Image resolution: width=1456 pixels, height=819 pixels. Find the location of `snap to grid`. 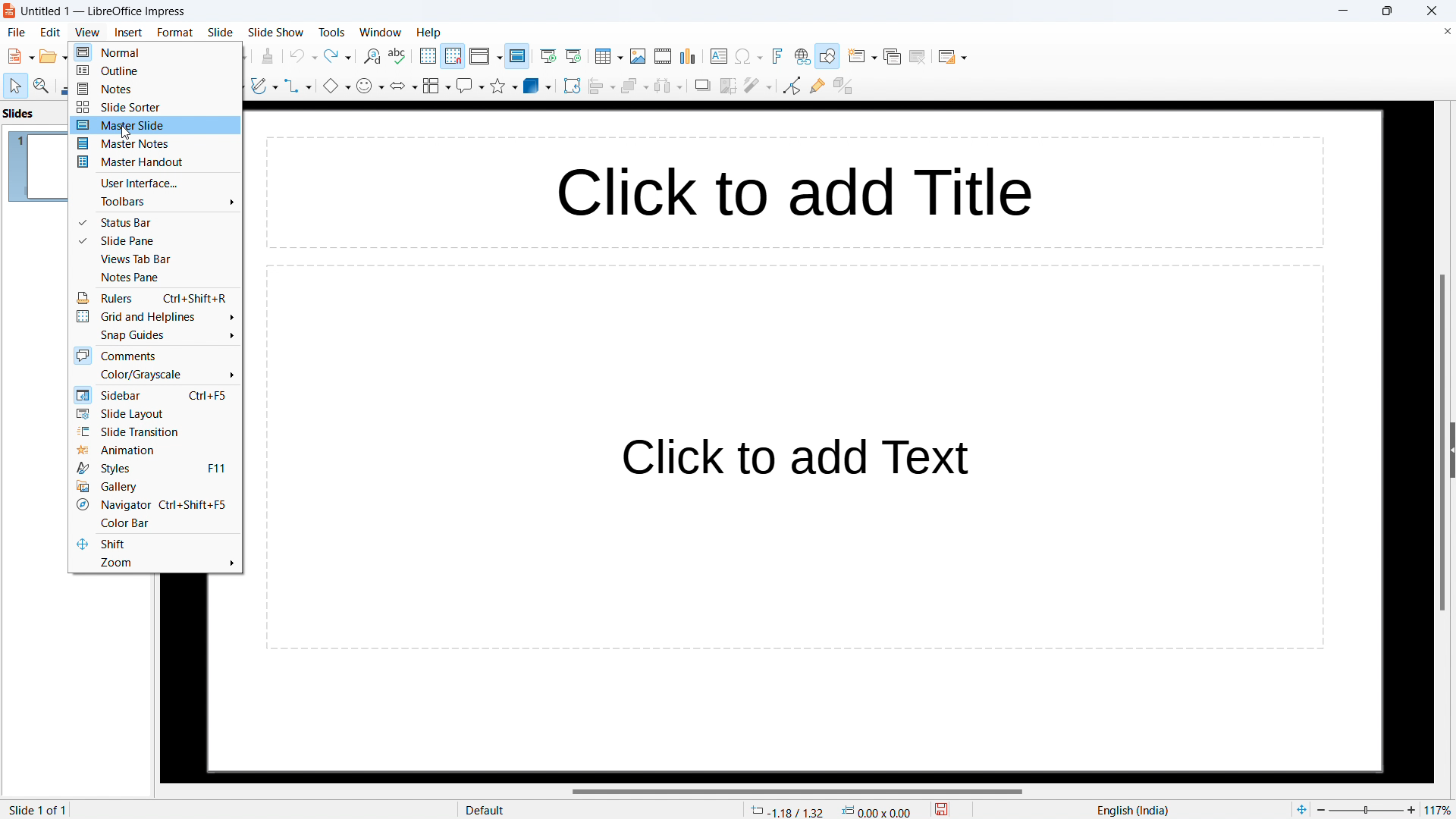

snap to grid is located at coordinates (453, 56).